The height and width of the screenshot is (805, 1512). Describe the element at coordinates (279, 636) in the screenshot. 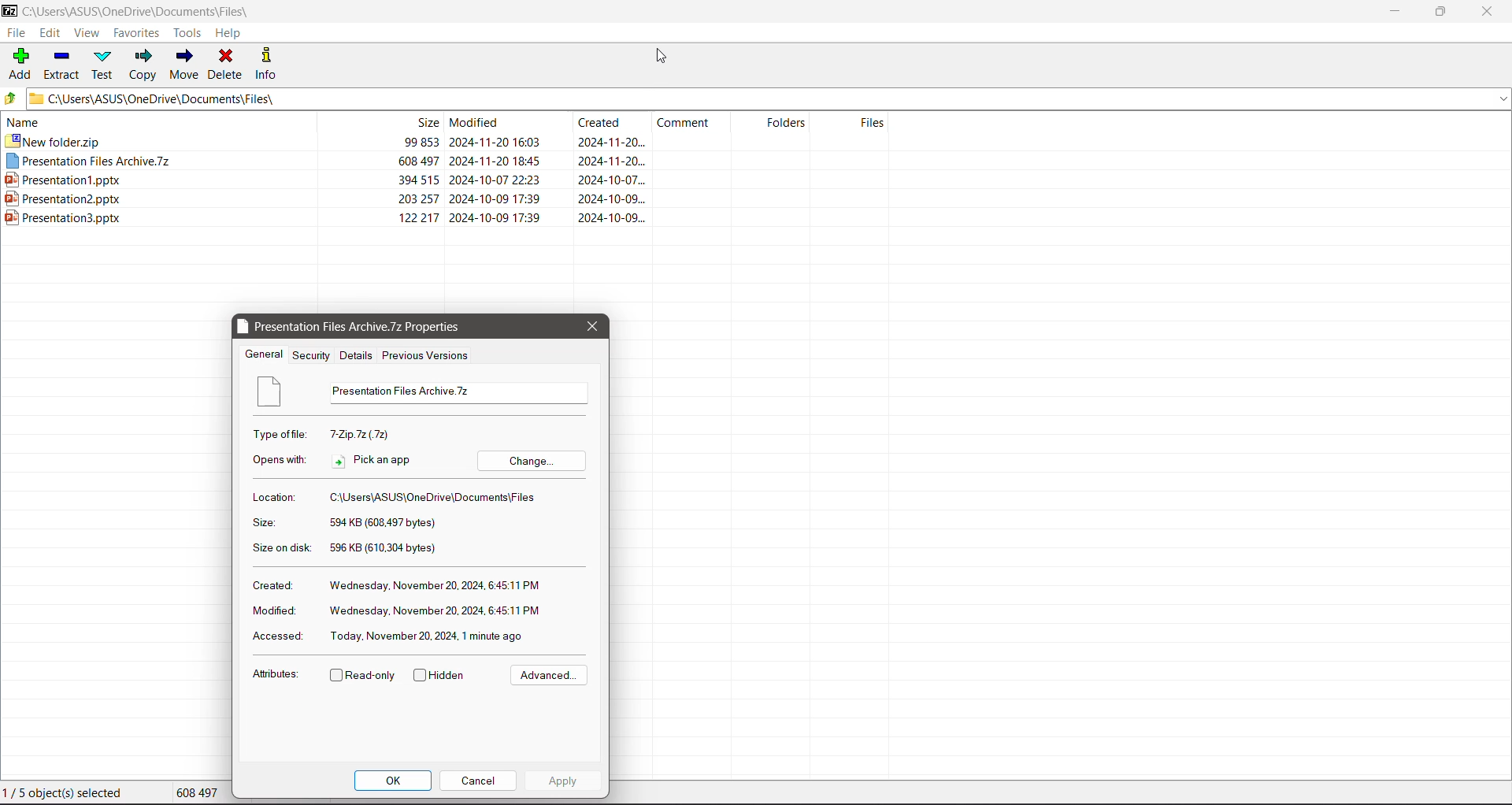

I see `Accessed` at that location.